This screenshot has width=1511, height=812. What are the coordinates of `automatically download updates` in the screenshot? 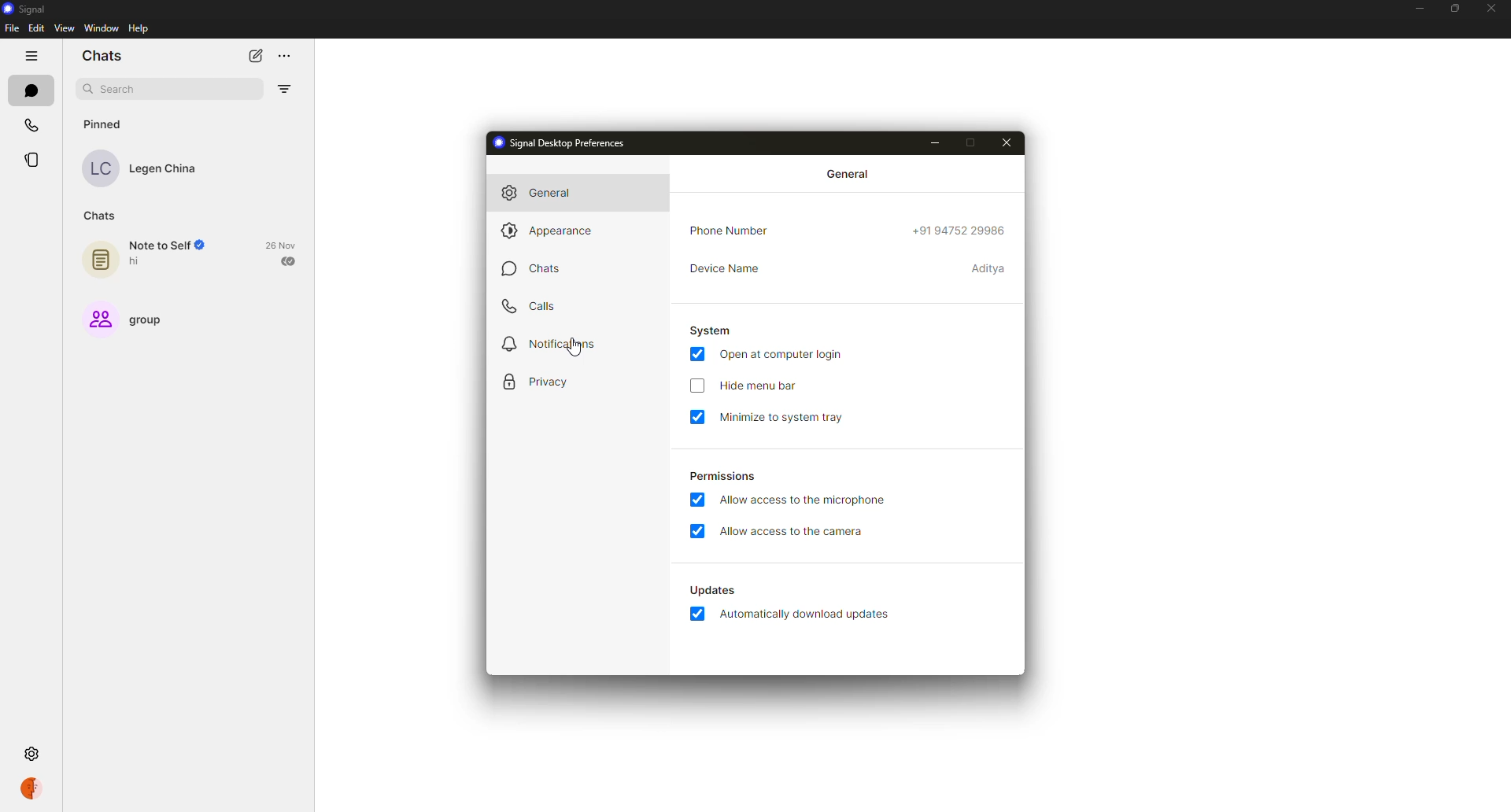 It's located at (809, 615).